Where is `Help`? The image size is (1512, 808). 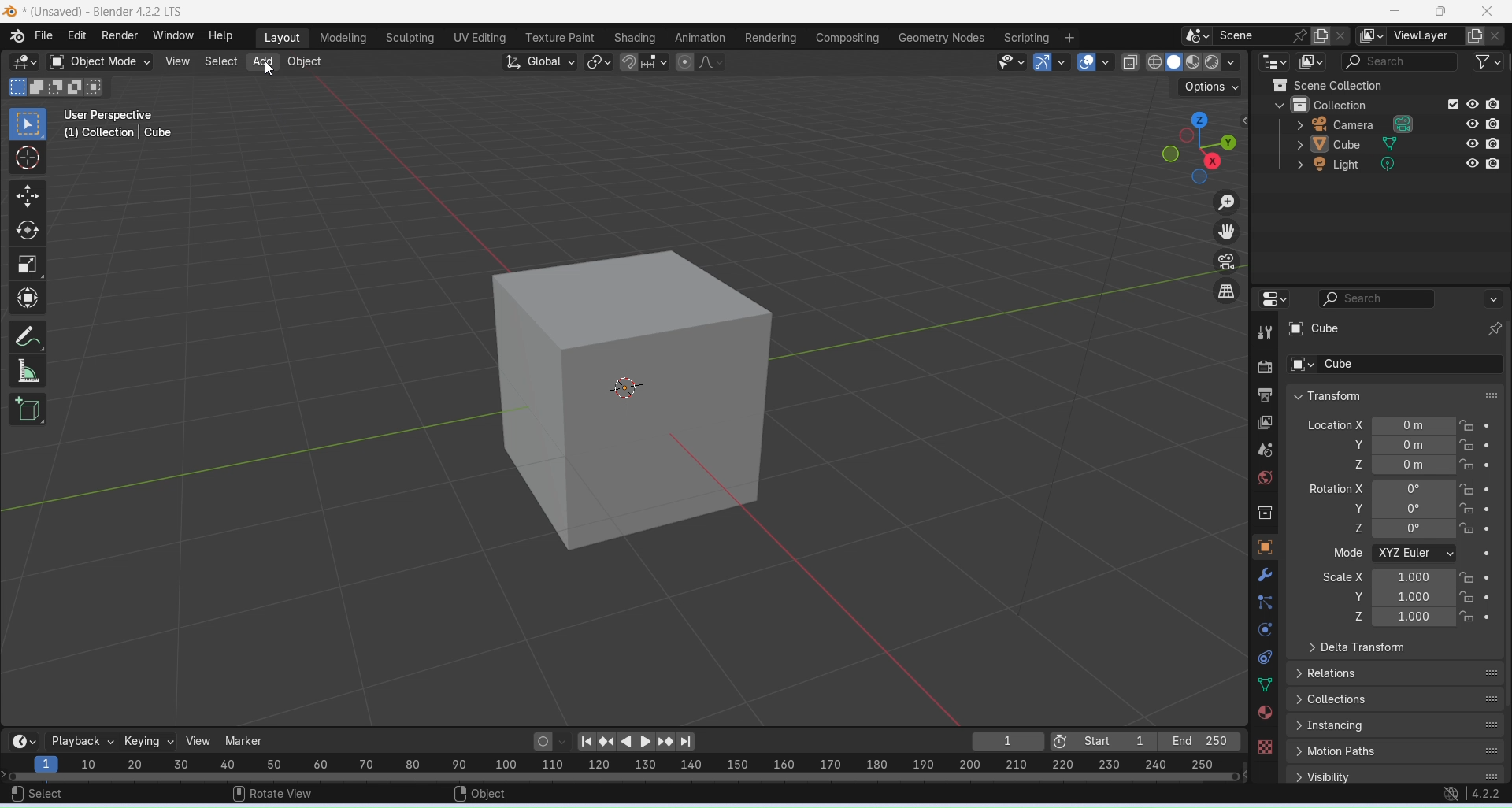 Help is located at coordinates (220, 36).